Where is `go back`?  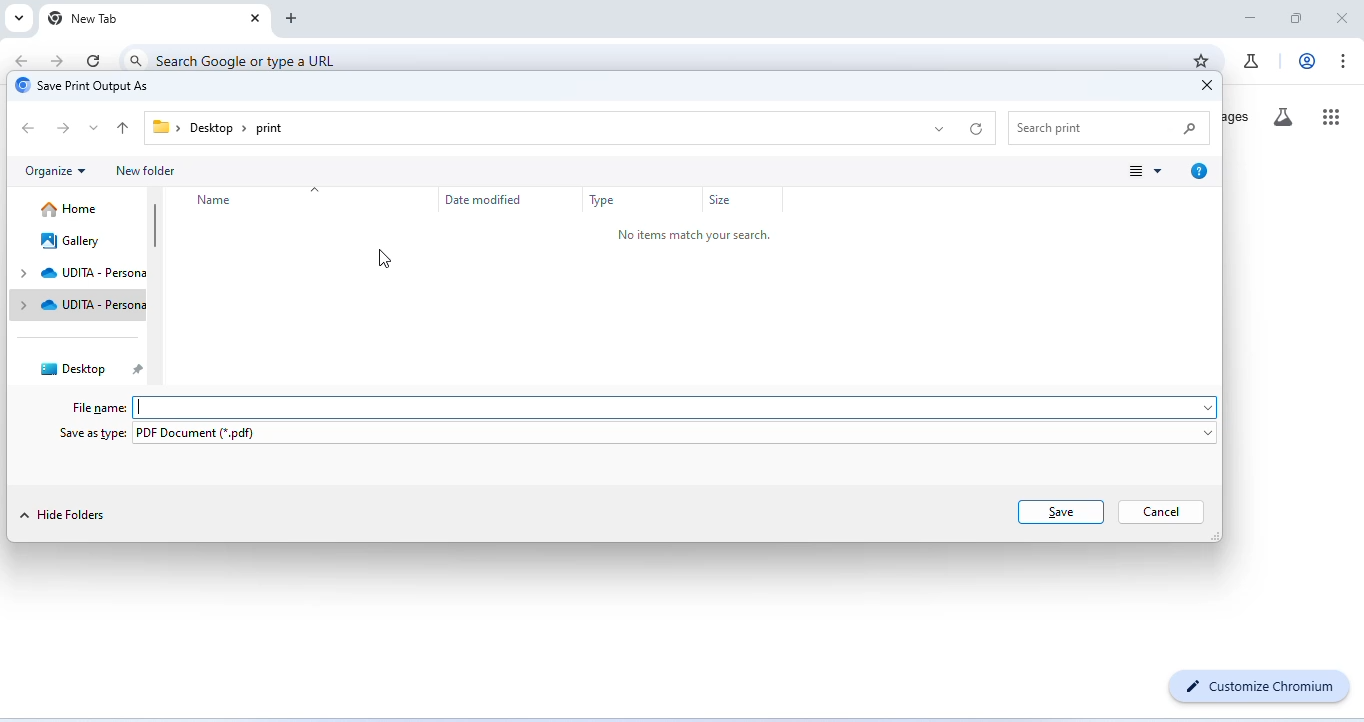 go back is located at coordinates (25, 60).